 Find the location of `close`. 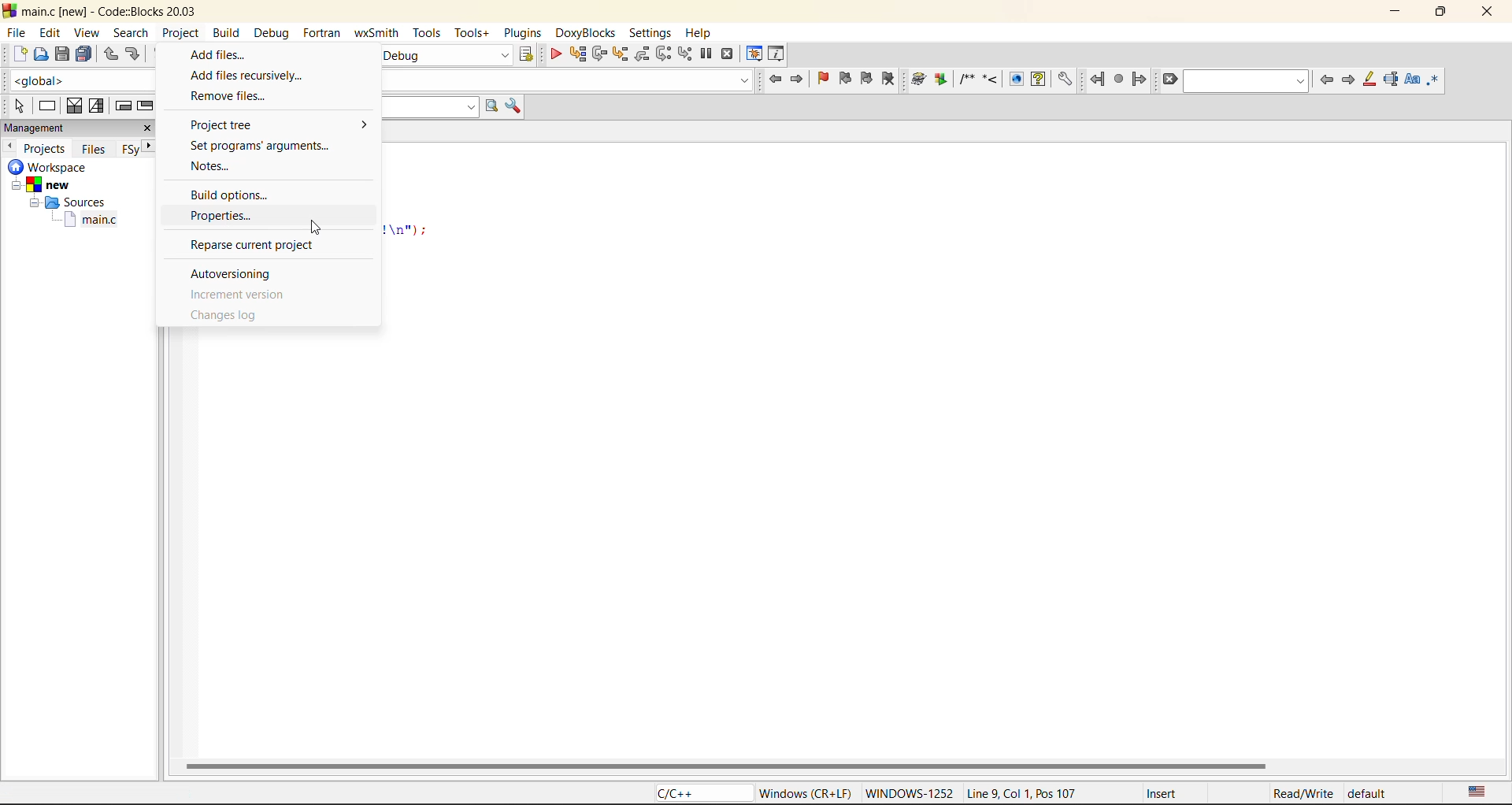

close is located at coordinates (146, 129).